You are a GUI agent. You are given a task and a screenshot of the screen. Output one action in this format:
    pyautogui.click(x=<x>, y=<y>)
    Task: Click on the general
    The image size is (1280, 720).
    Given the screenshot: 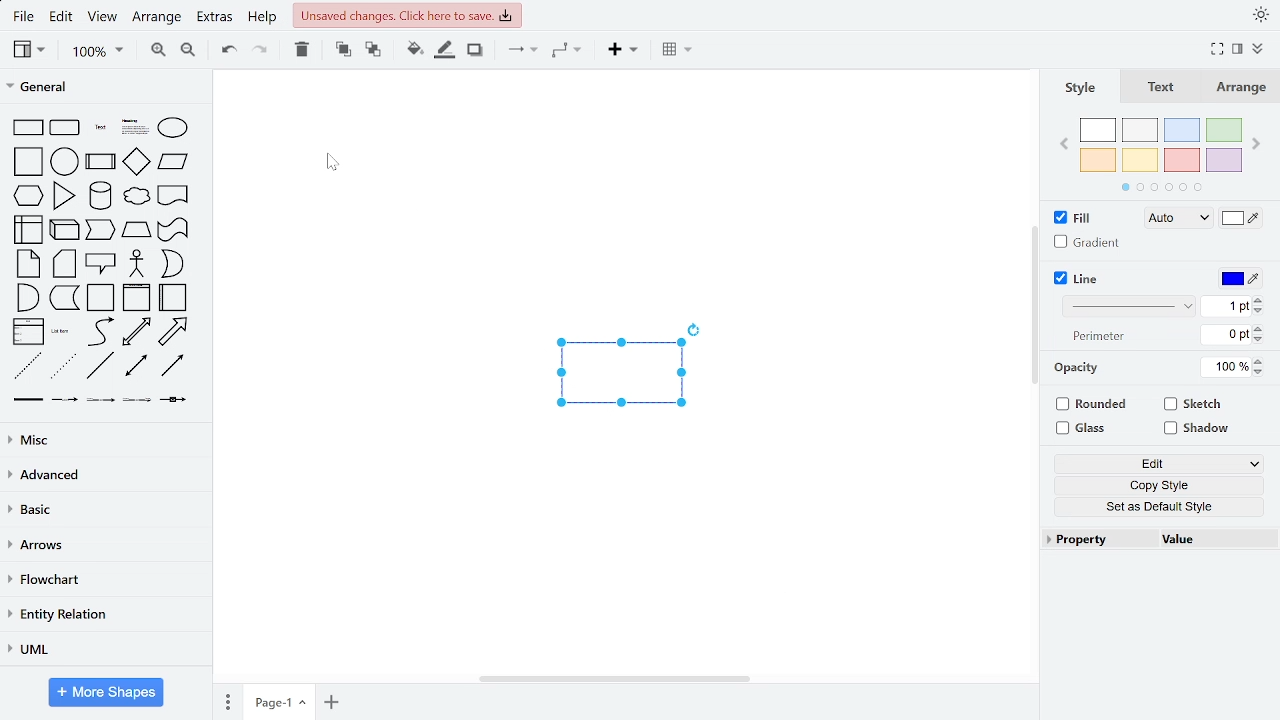 What is the action you would take?
    pyautogui.click(x=104, y=85)
    